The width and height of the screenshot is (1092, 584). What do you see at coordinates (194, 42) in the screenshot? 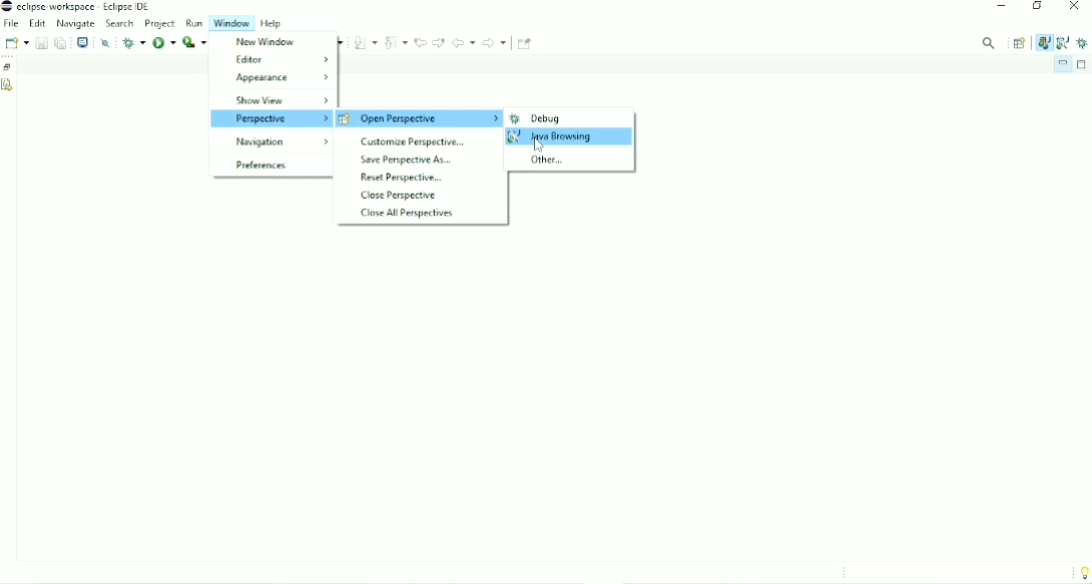
I see `Run` at bounding box center [194, 42].